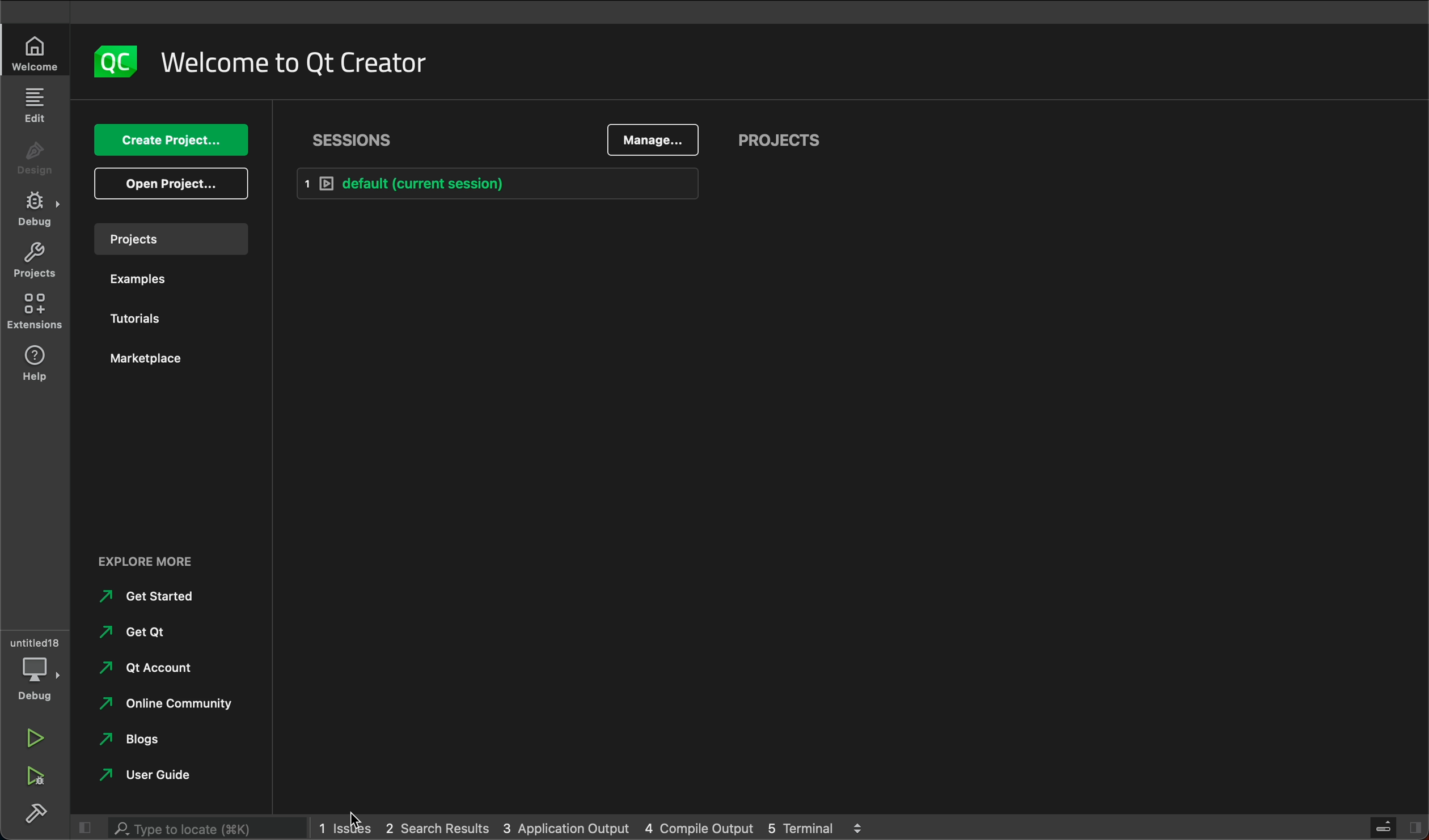 The height and width of the screenshot is (840, 1429). Describe the element at coordinates (32, 773) in the screenshot. I see `run debug` at that location.